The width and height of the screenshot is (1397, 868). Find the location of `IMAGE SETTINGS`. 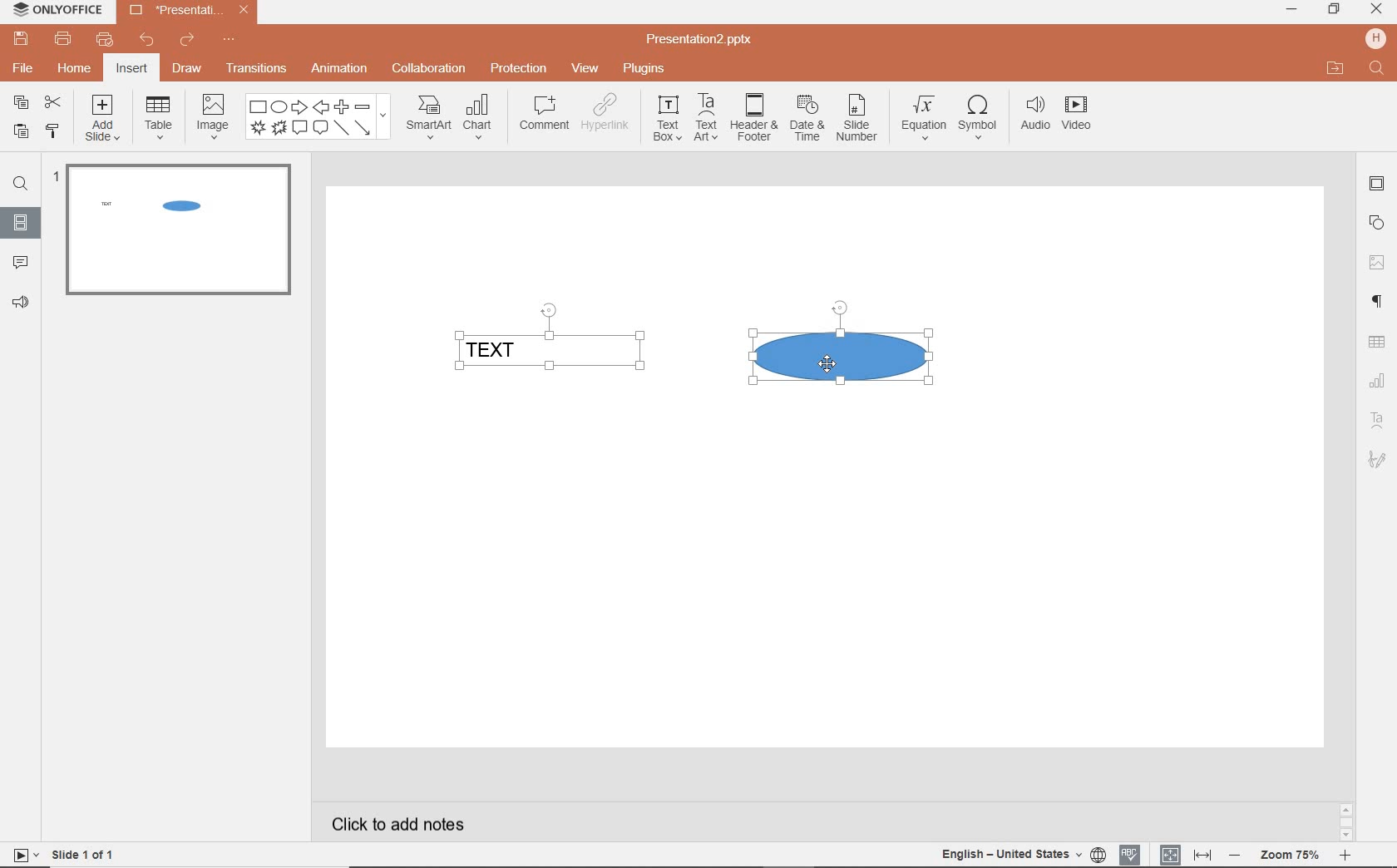

IMAGE SETTINGS is located at coordinates (1377, 262).